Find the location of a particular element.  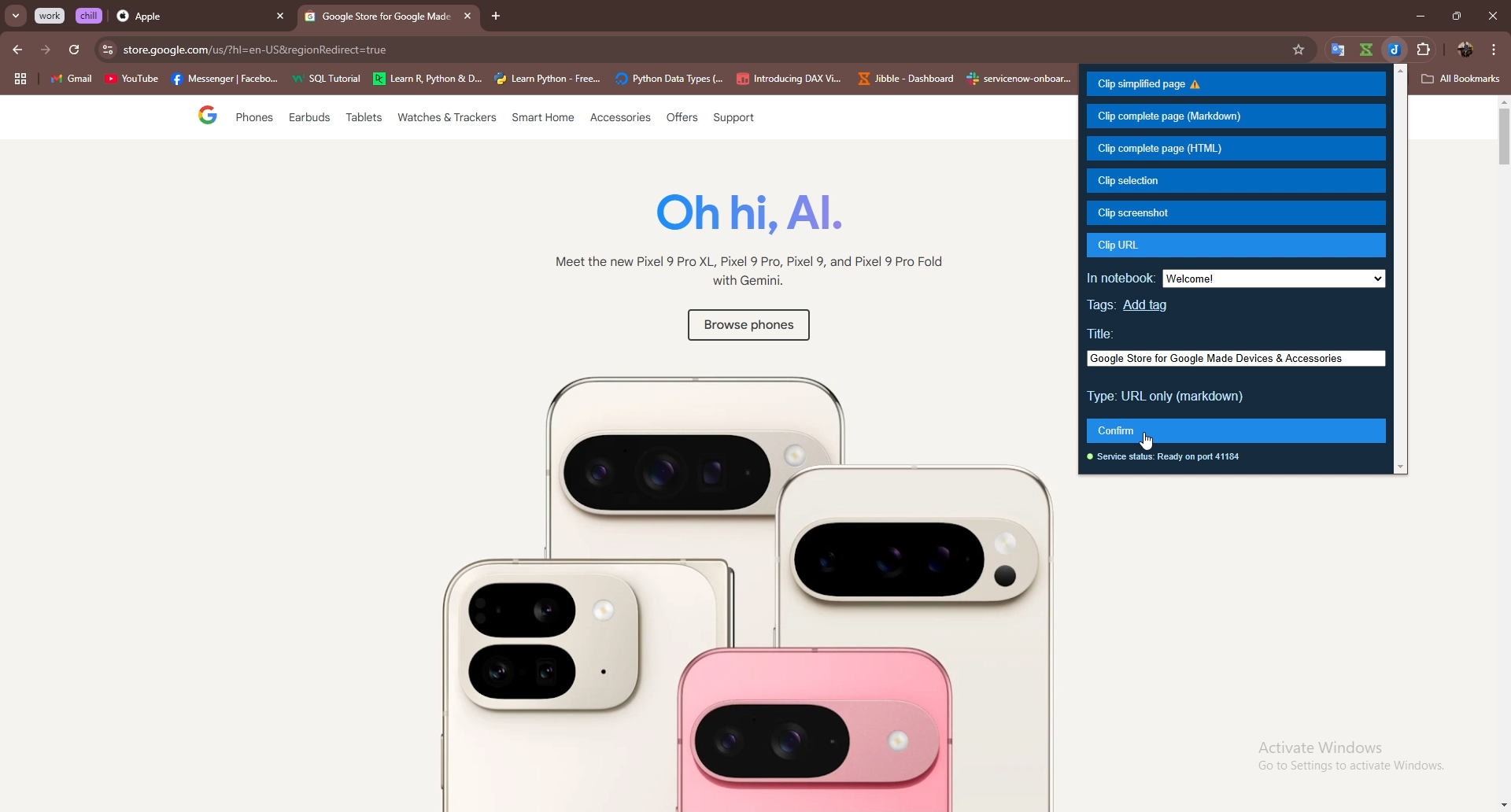

google translate is located at coordinates (1365, 50).